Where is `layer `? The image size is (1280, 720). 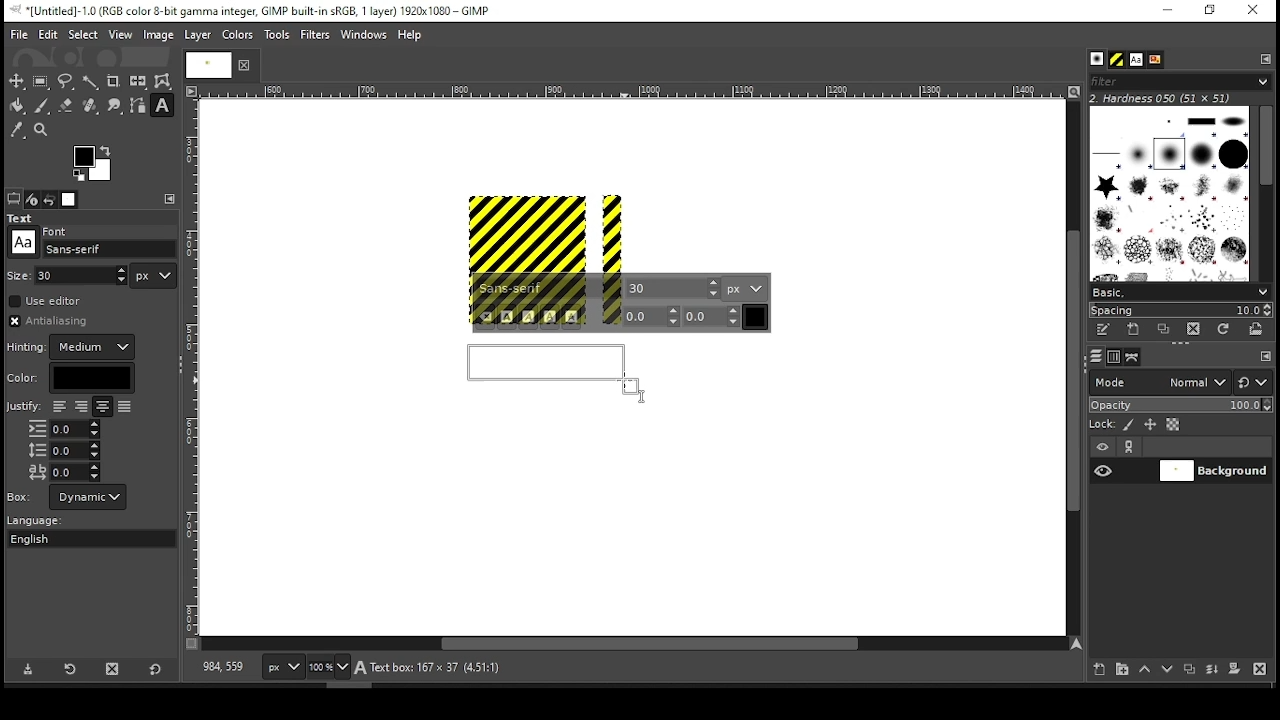
layer  is located at coordinates (1213, 471).